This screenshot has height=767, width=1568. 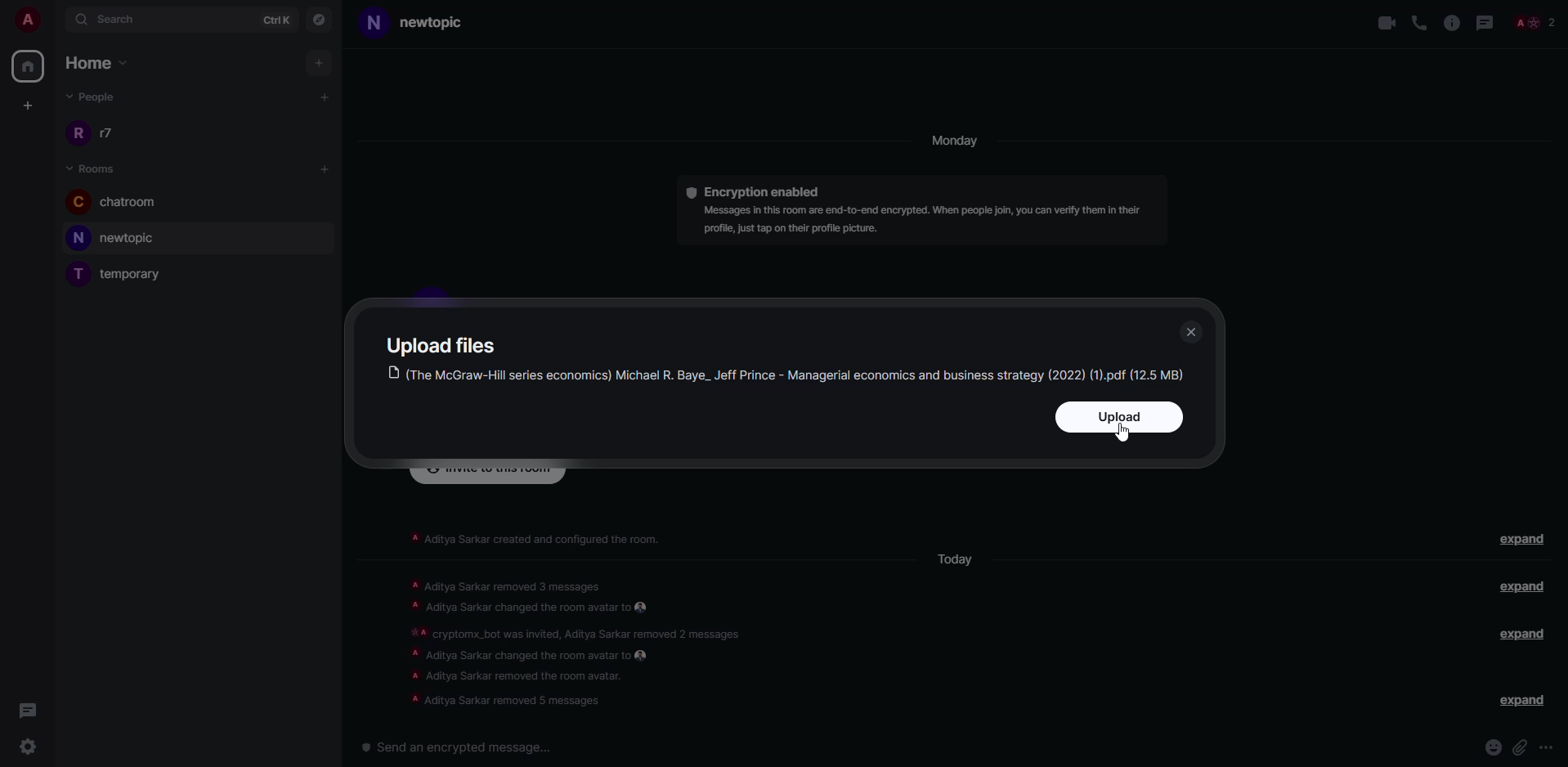 I want to click on ctrlK, so click(x=279, y=19).